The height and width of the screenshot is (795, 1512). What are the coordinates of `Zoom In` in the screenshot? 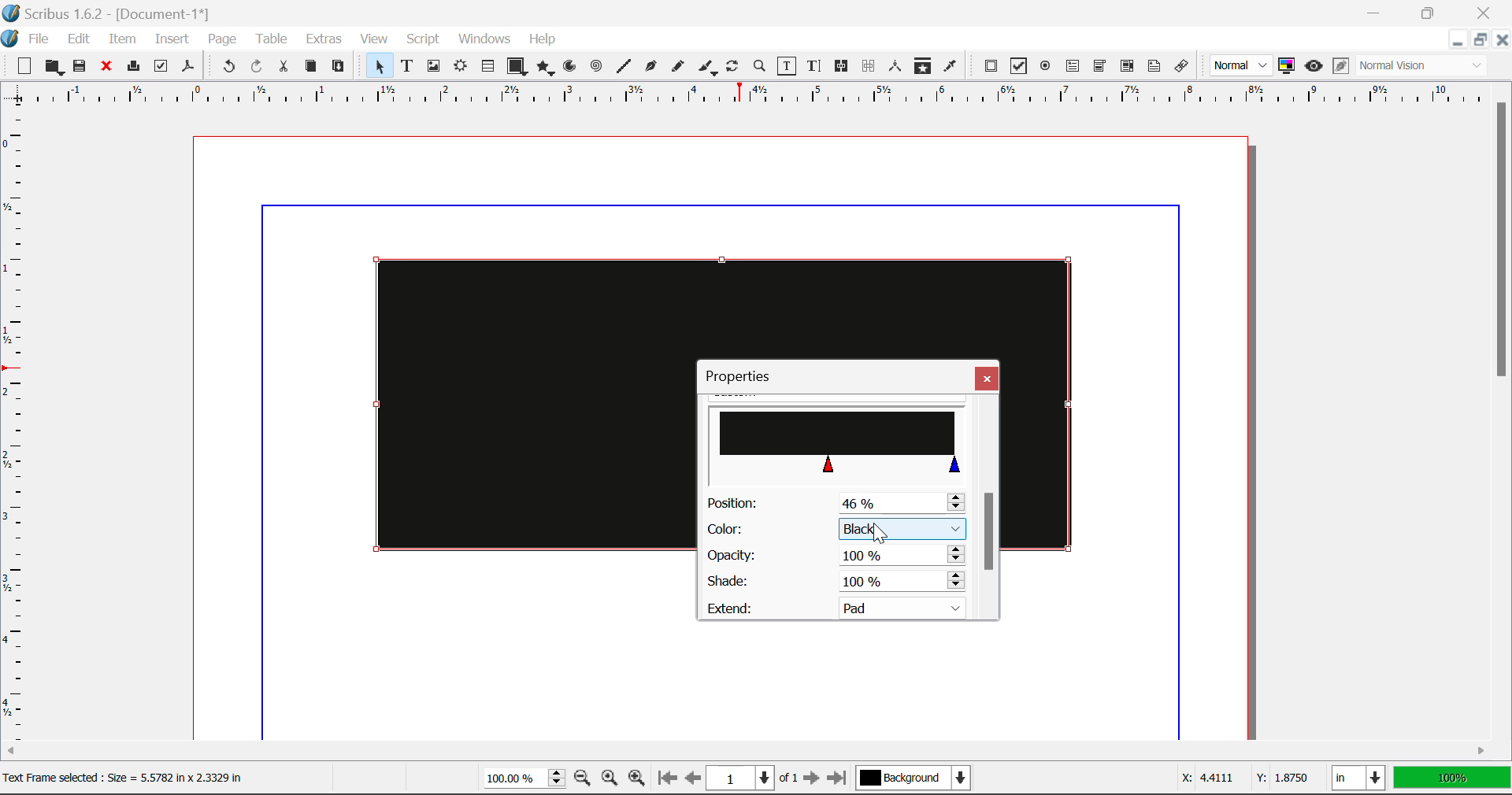 It's located at (637, 780).